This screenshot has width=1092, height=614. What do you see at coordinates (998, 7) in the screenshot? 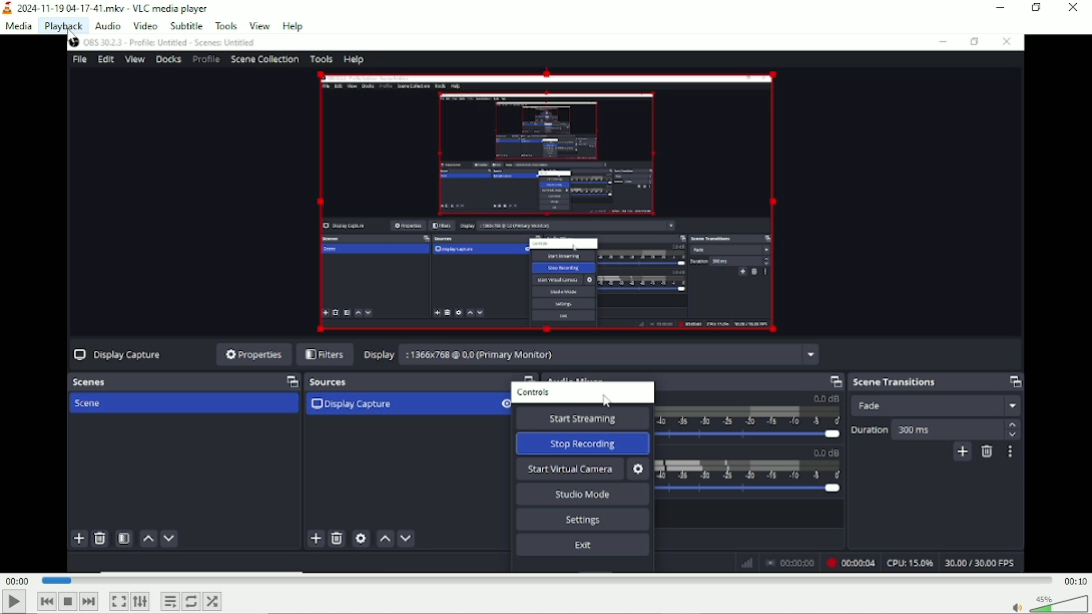
I see `Minimize` at bounding box center [998, 7].